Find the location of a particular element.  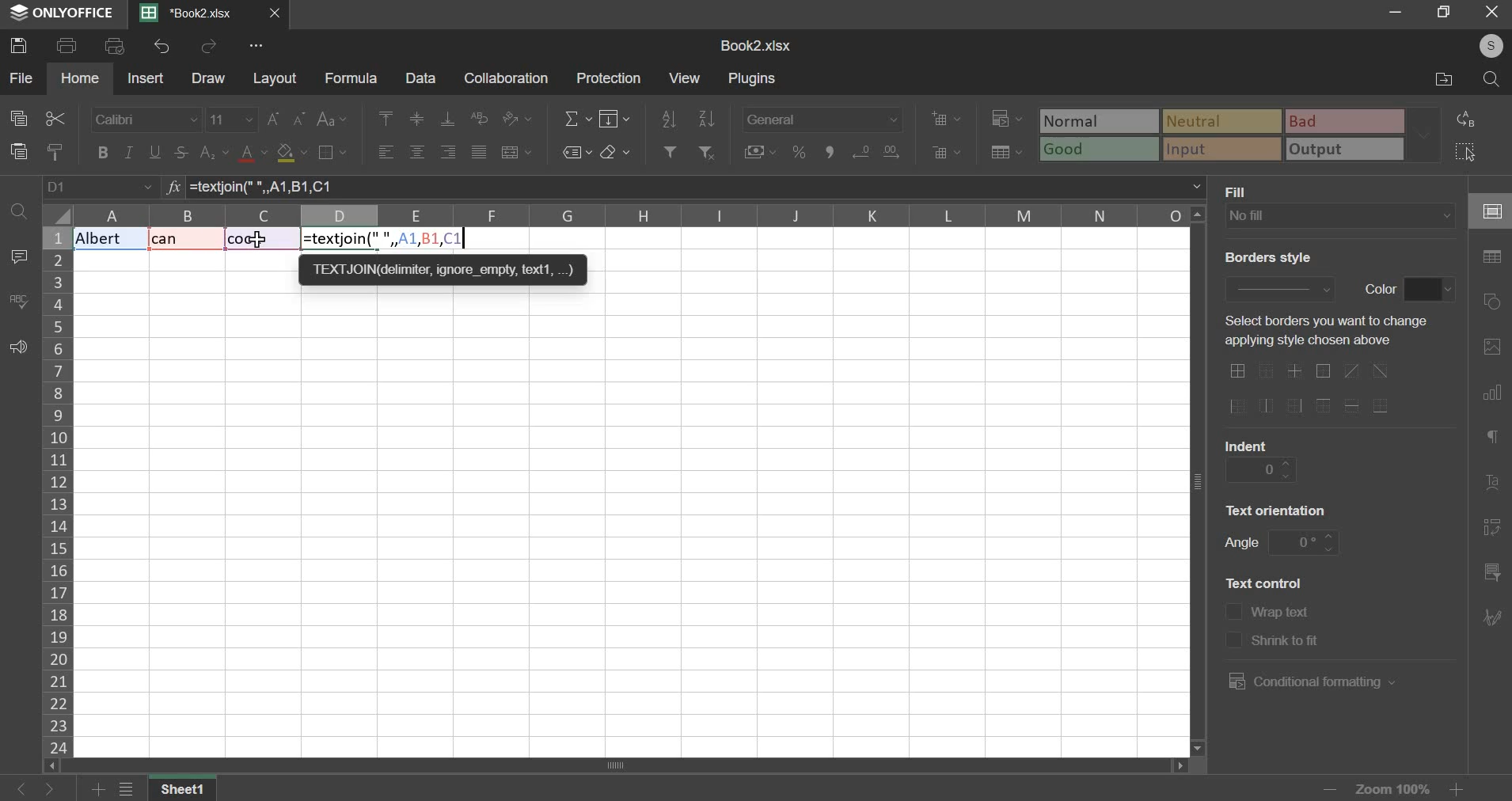

align left is located at coordinates (386, 118).